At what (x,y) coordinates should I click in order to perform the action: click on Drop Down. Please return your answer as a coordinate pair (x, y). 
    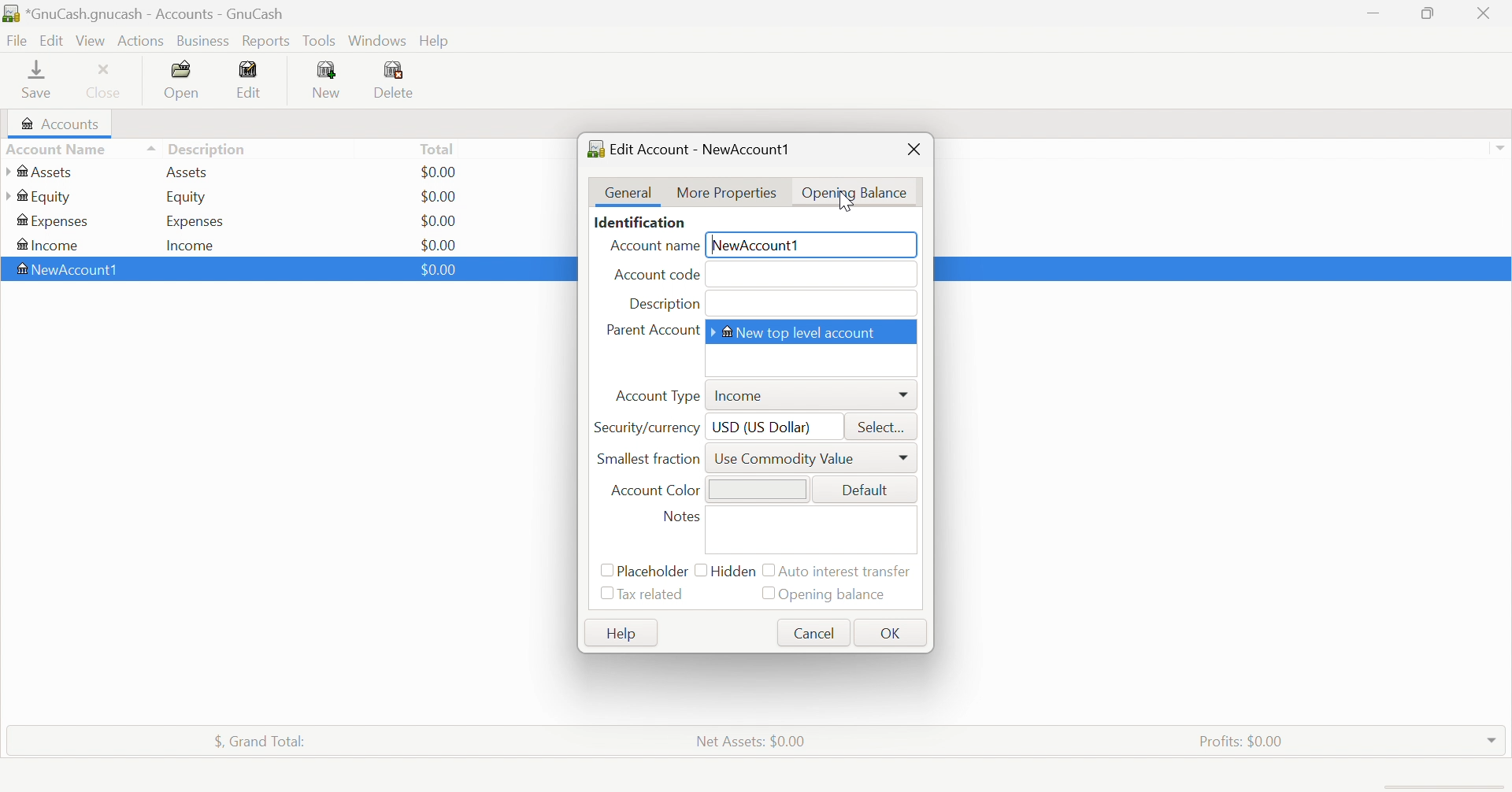
    Looking at the image, I should click on (1492, 740).